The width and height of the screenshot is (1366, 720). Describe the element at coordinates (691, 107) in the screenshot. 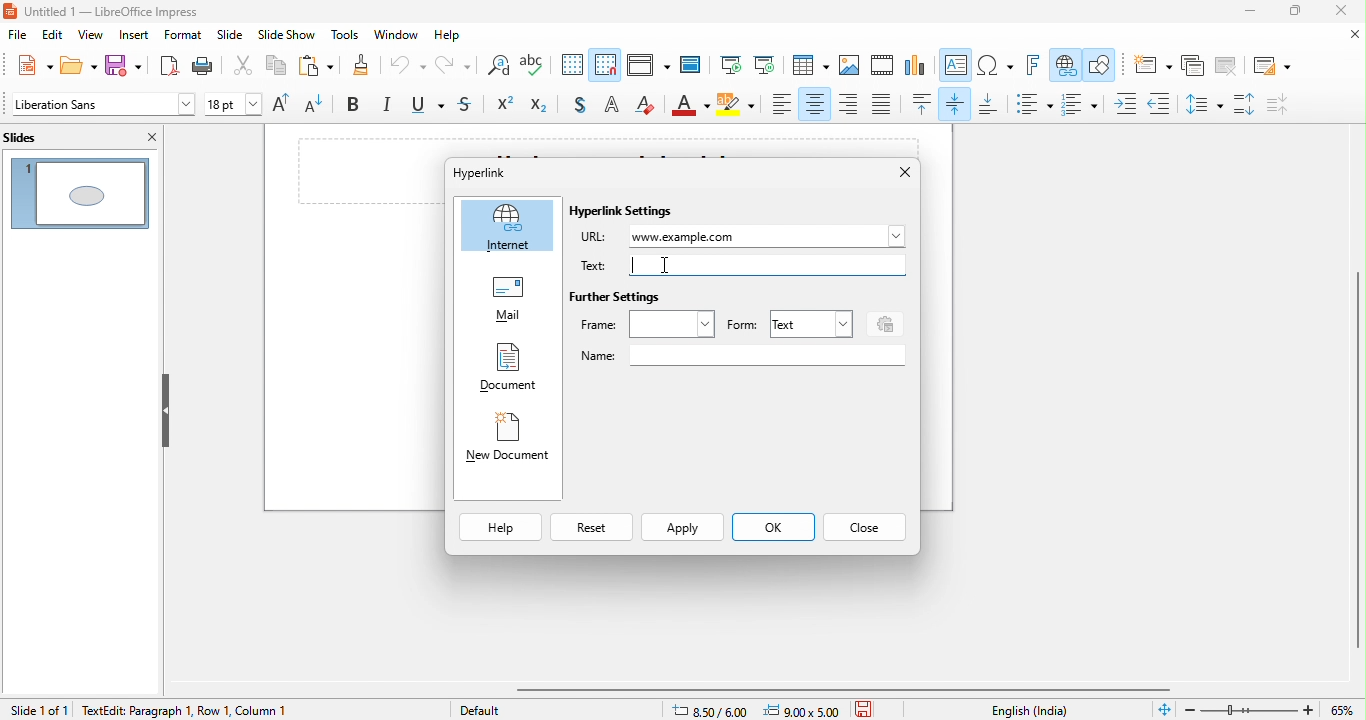

I see `font color` at that location.